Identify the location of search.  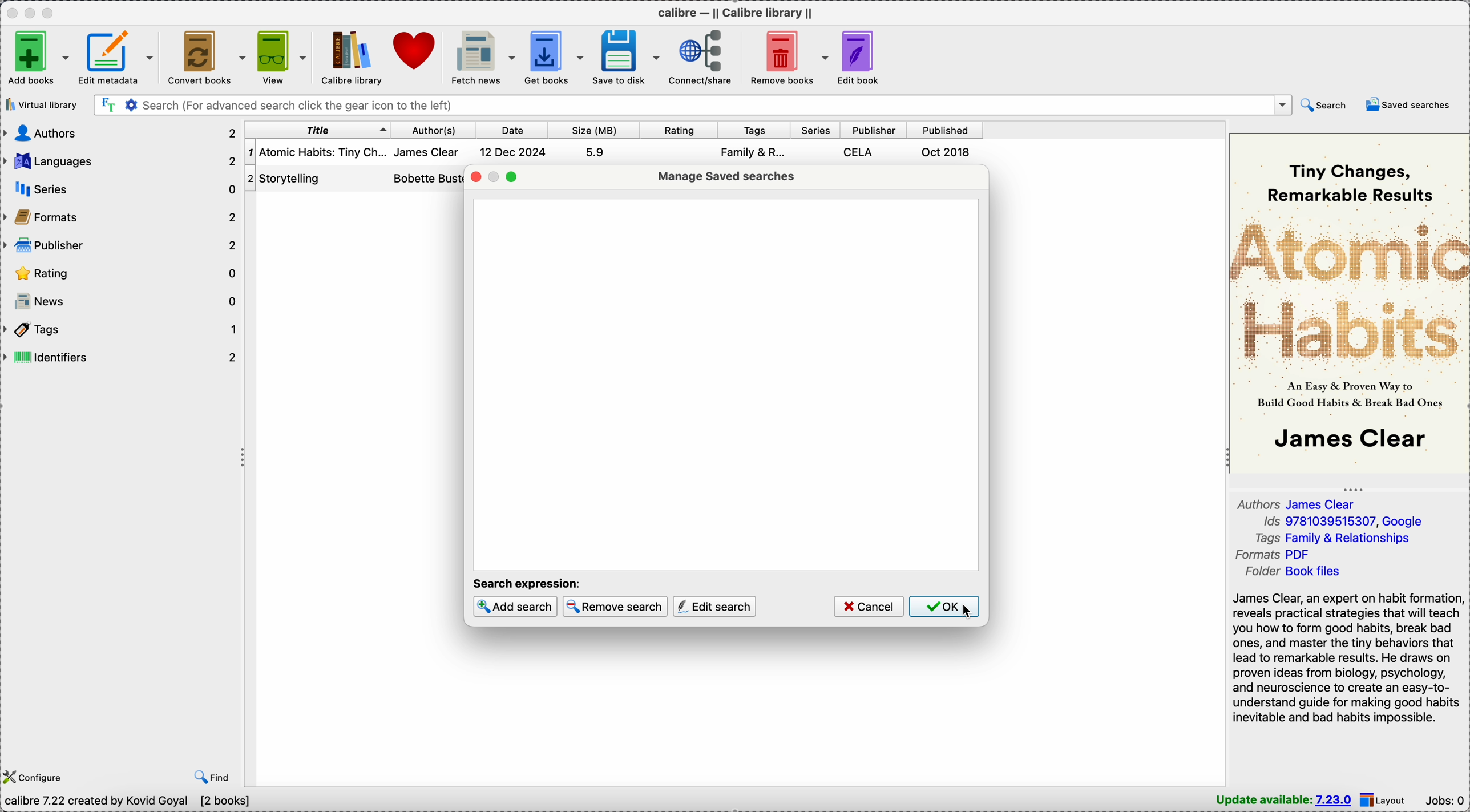
(1324, 106).